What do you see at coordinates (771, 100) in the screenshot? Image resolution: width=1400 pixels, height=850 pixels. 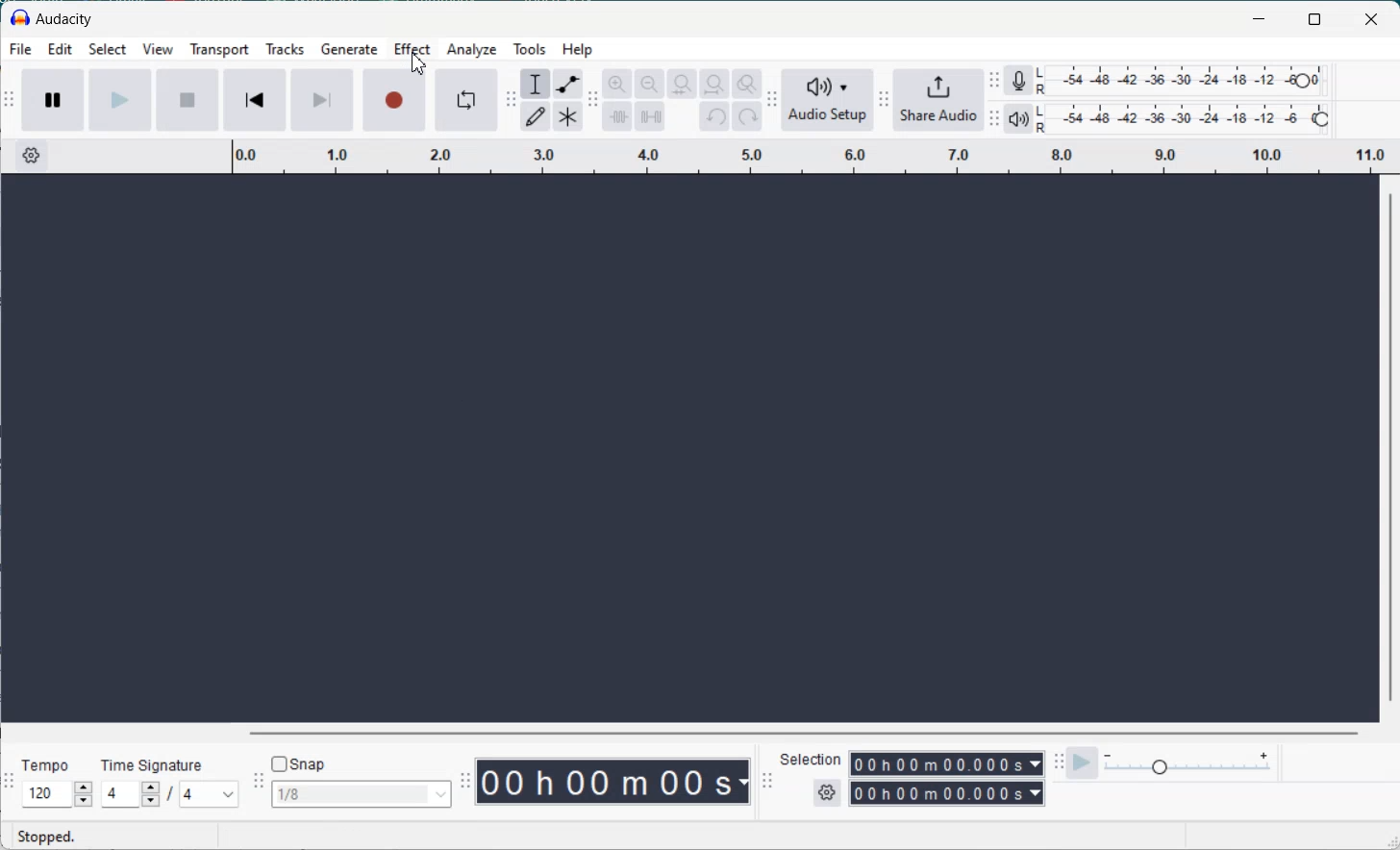 I see `Audacity audio setup toolbar` at bounding box center [771, 100].